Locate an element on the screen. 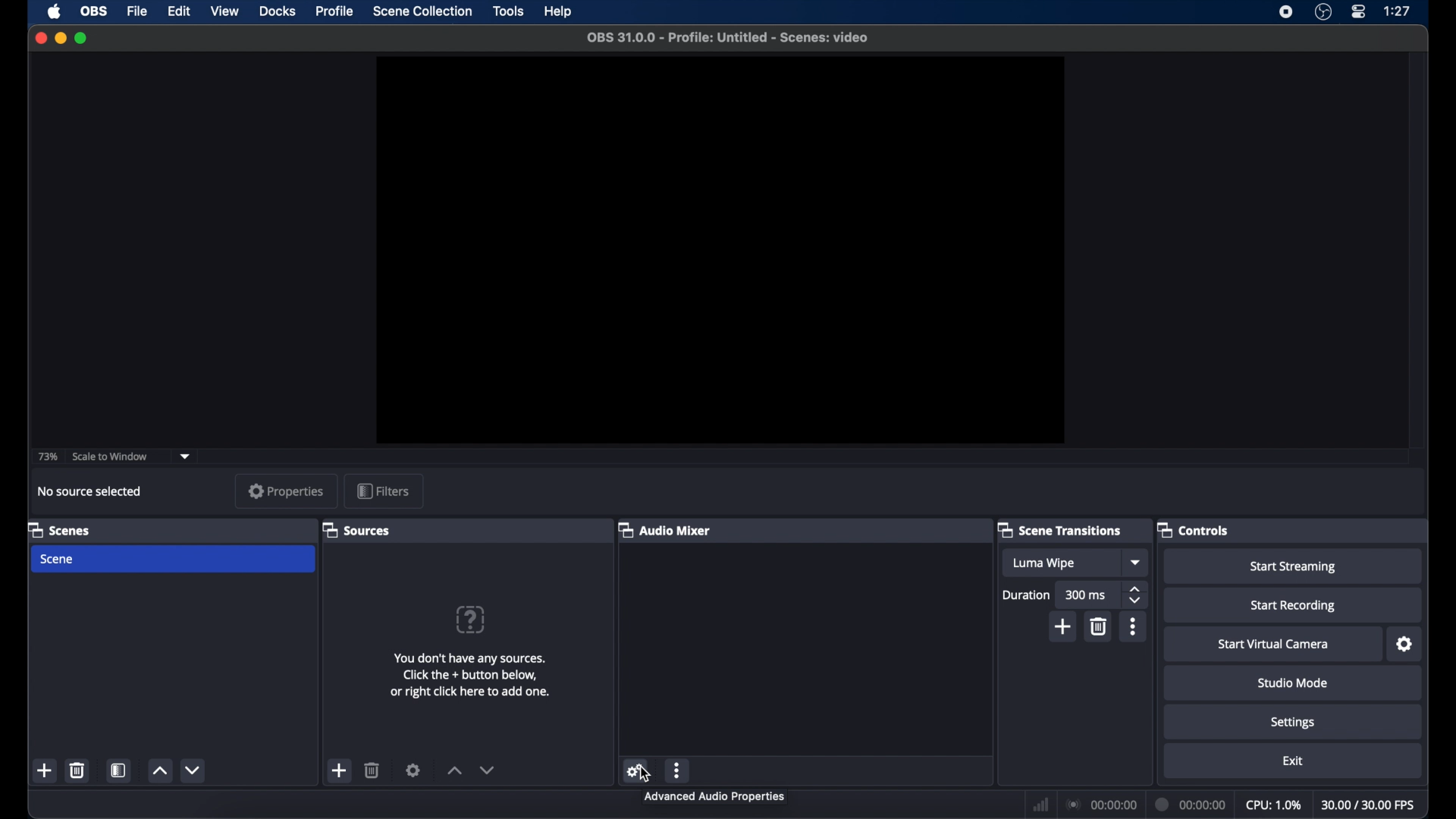 The width and height of the screenshot is (1456, 819). obs is located at coordinates (94, 12).